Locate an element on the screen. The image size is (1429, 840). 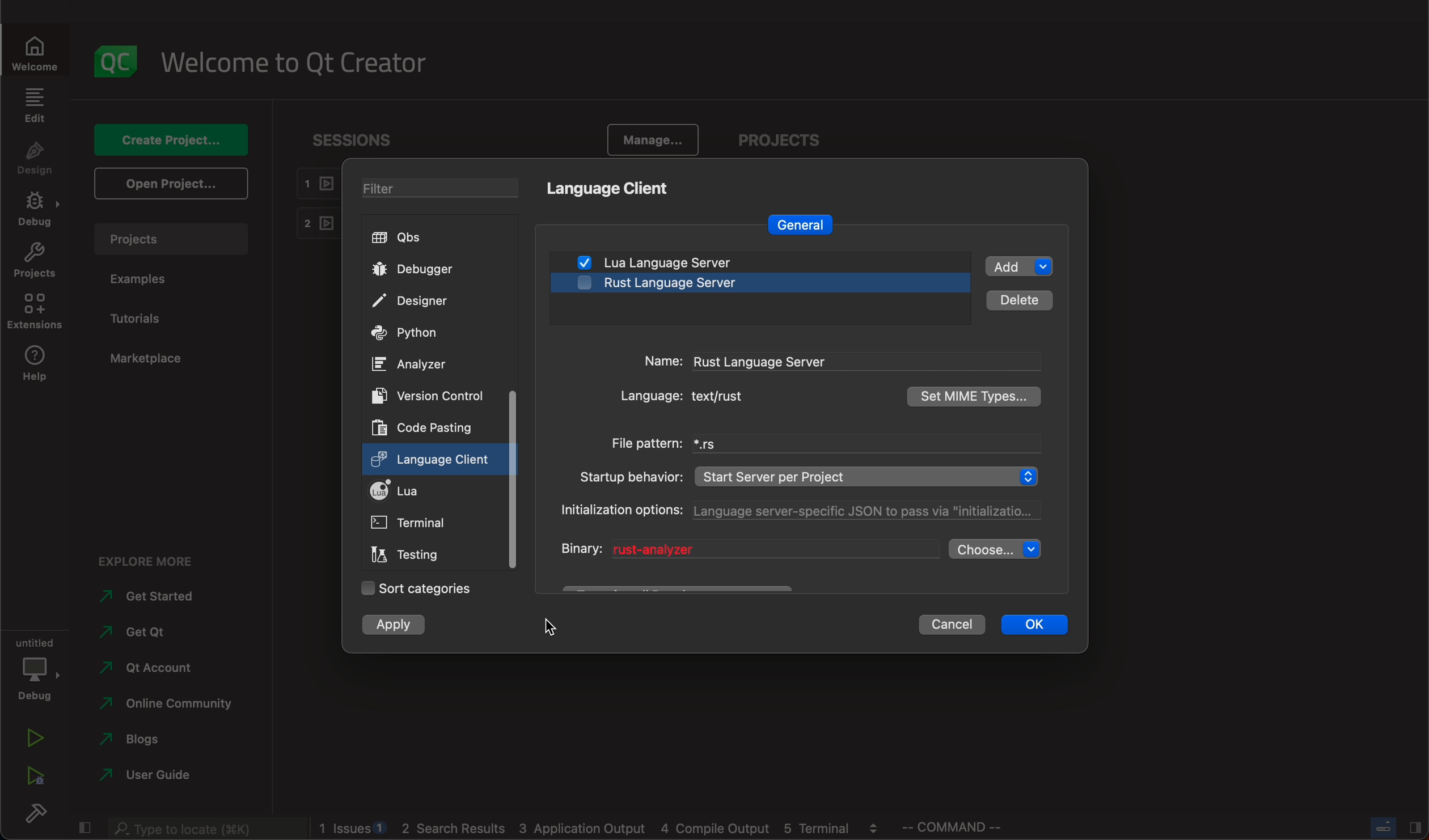
logs is located at coordinates (602, 829).